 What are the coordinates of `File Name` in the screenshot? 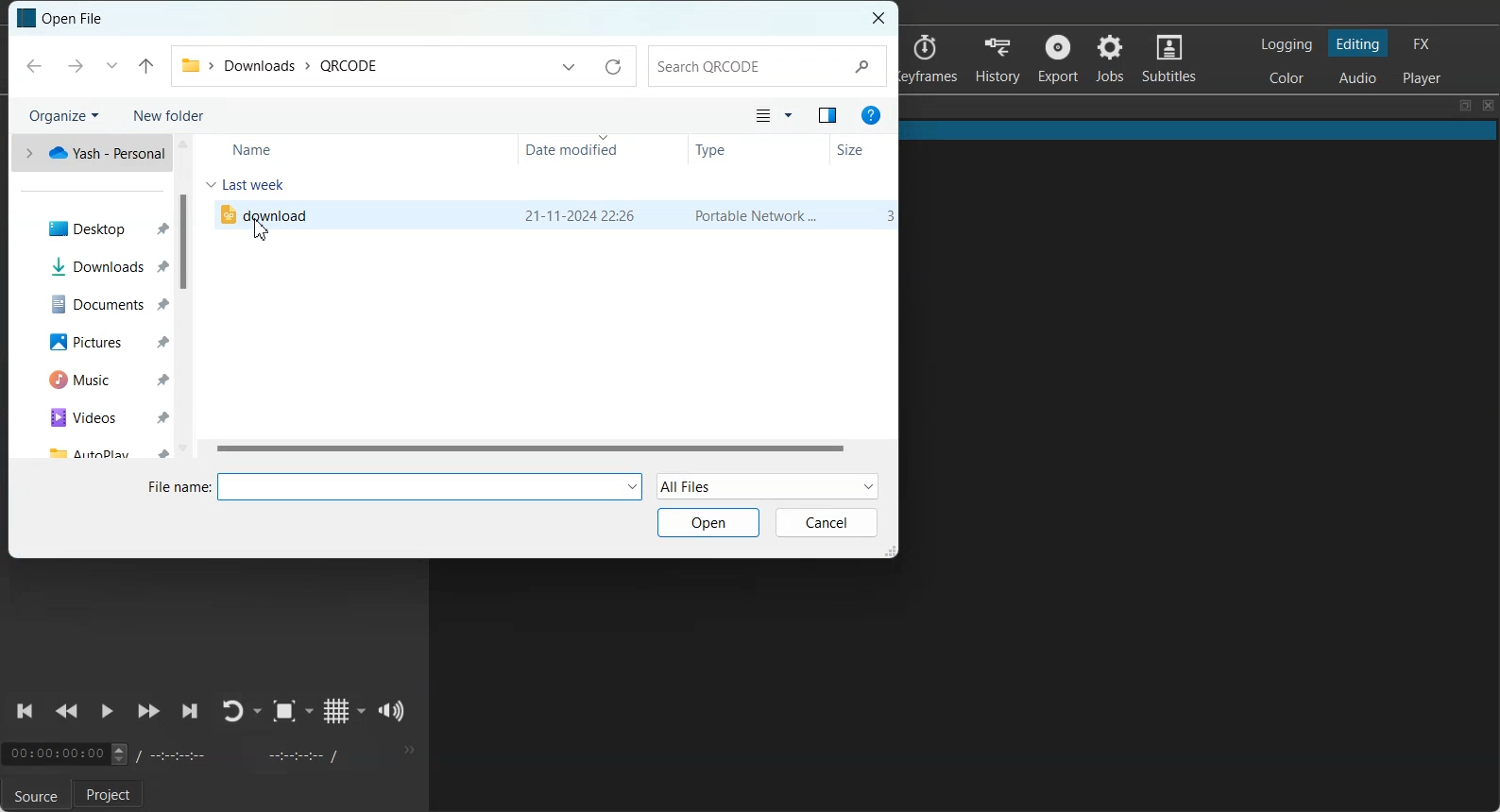 It's located at (177, 487).